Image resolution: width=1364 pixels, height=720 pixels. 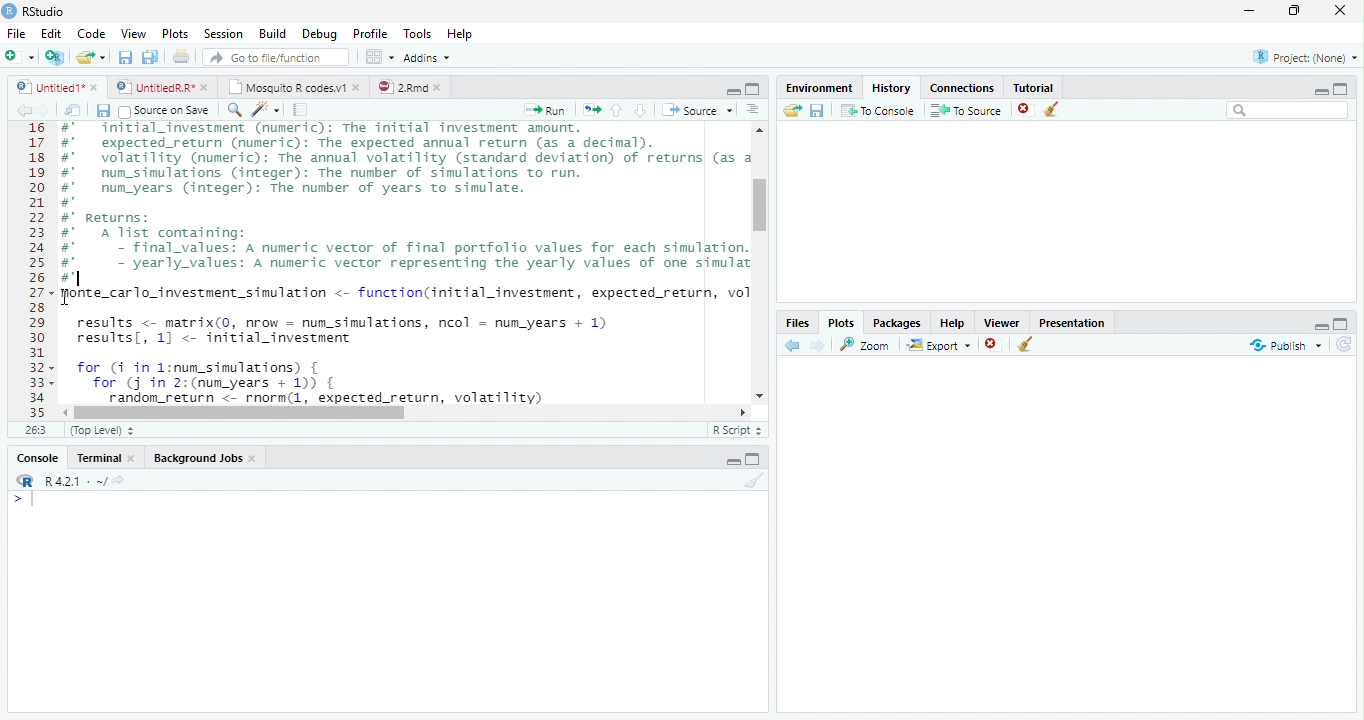 I want to click on Scroll Up, so click(x=760, y=132).